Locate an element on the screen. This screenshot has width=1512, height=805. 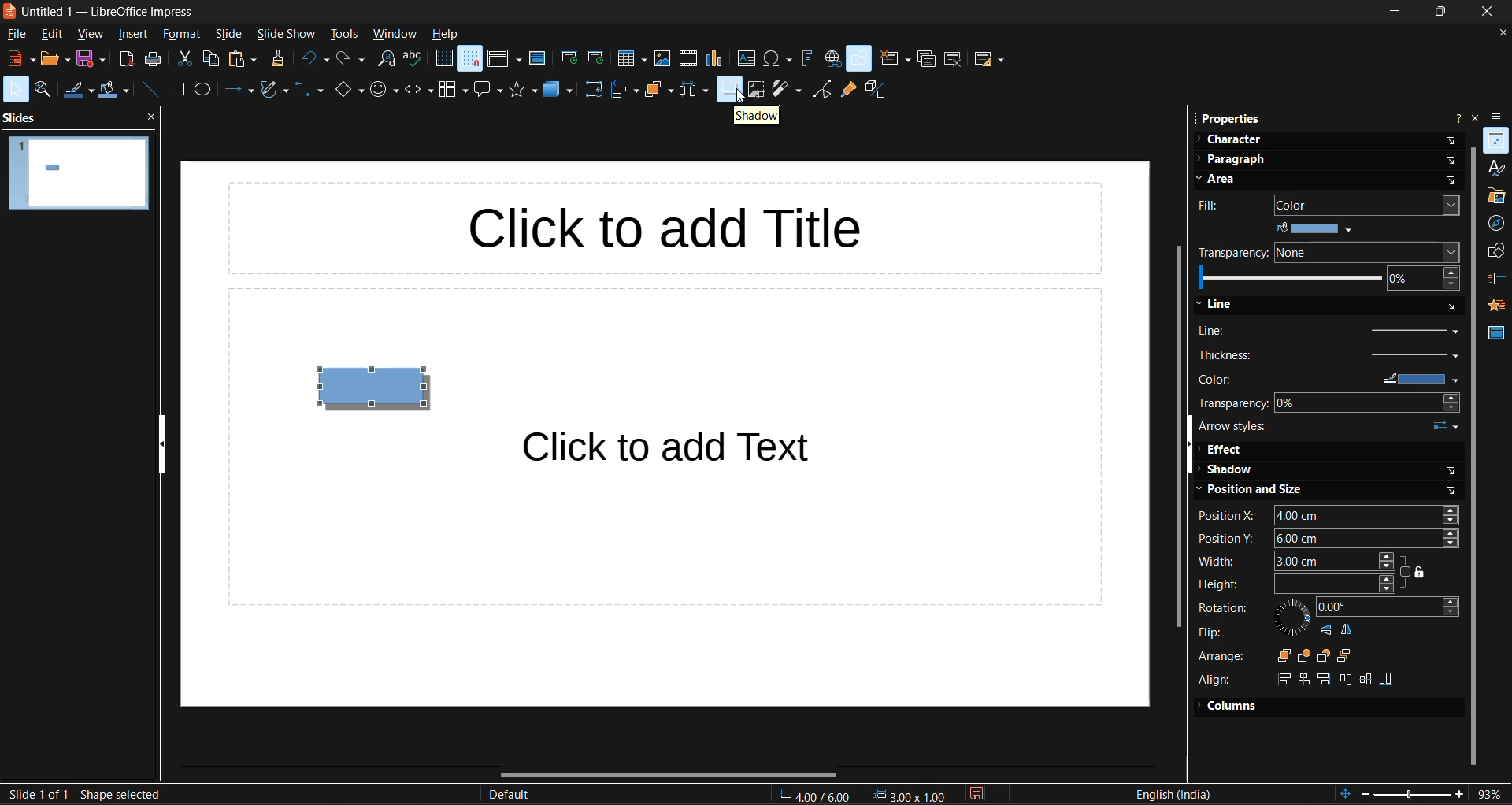
slide preview is located at coordinates (80, 172).